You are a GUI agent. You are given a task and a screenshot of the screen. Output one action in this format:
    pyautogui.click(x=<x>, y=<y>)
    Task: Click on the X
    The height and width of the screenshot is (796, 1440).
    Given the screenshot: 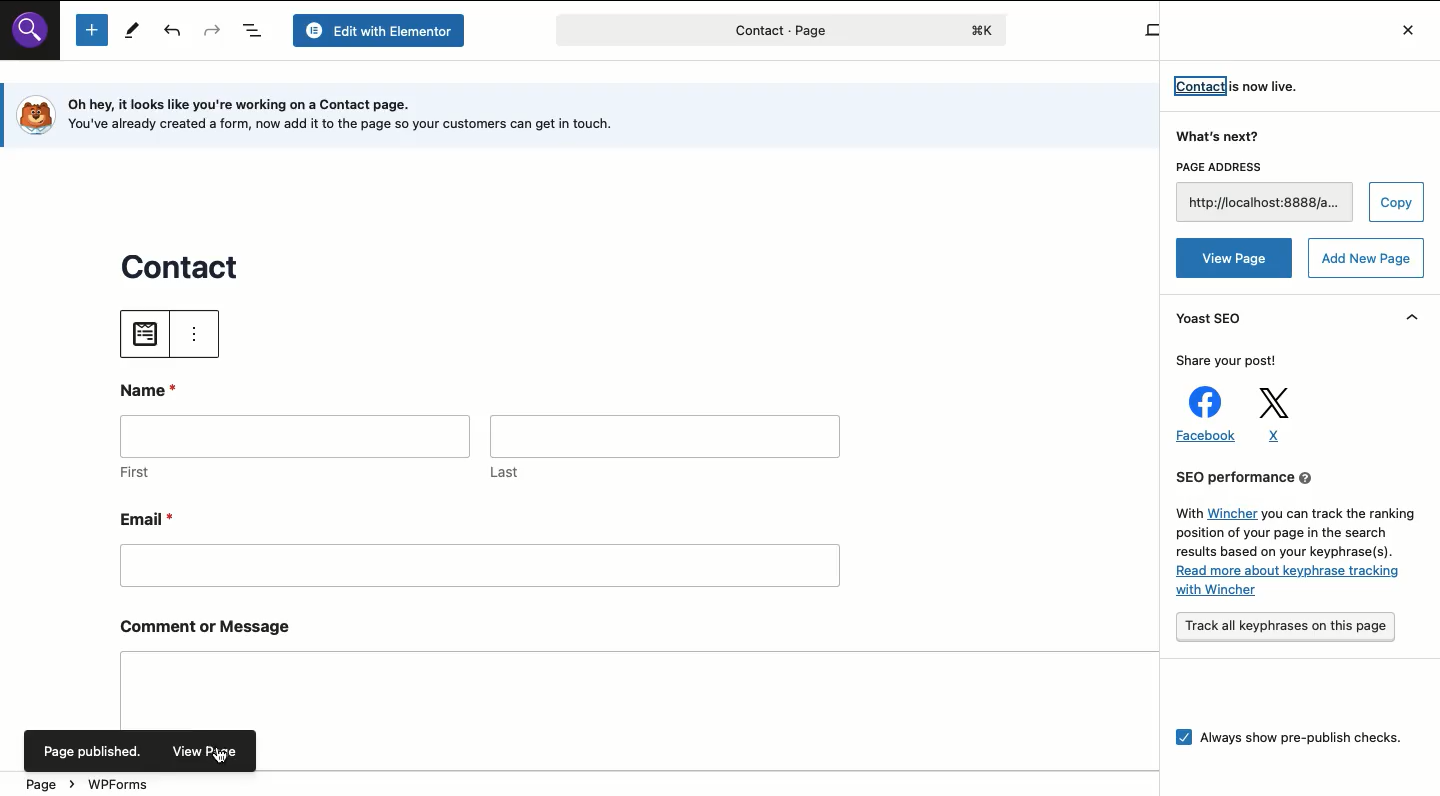 What is the action you would take?
    pyautogui.click(x=1278, y=414)
    